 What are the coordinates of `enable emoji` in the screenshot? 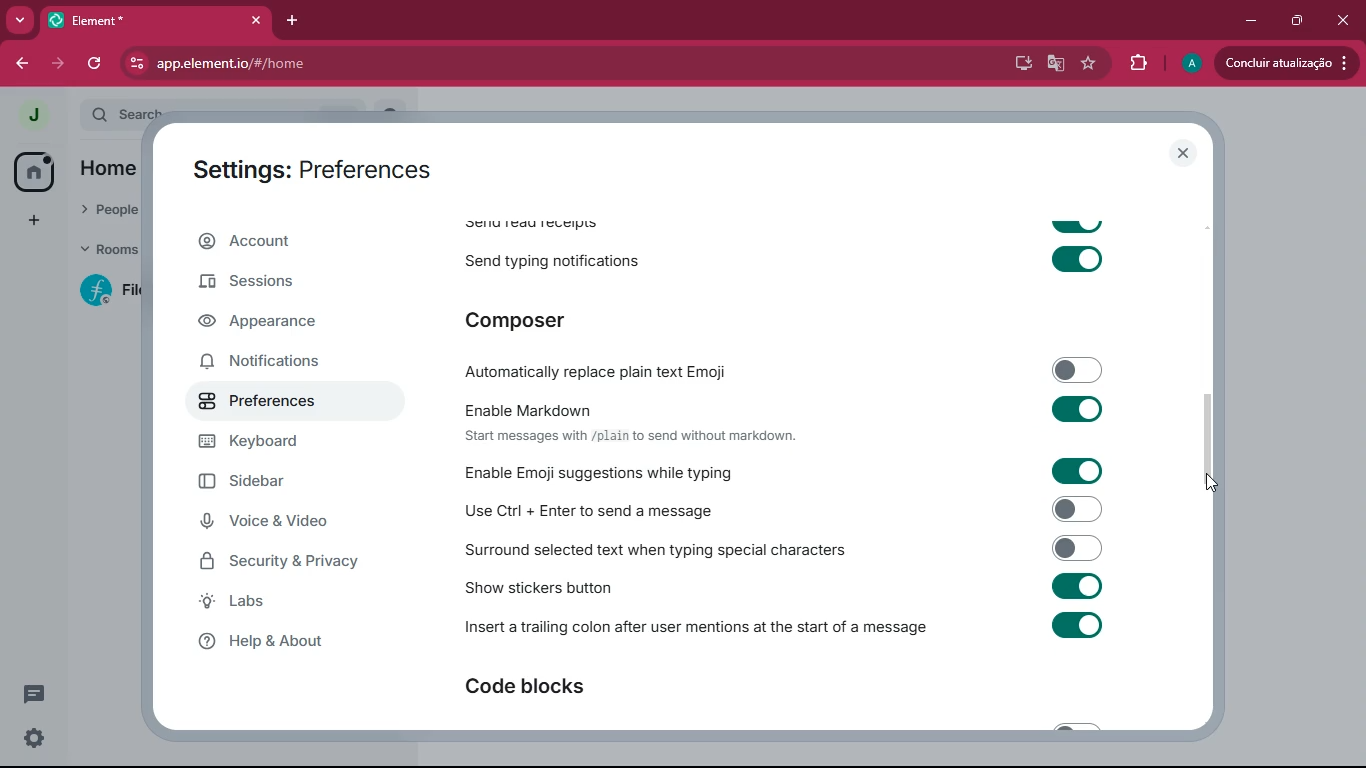 It's located at (797, 474).